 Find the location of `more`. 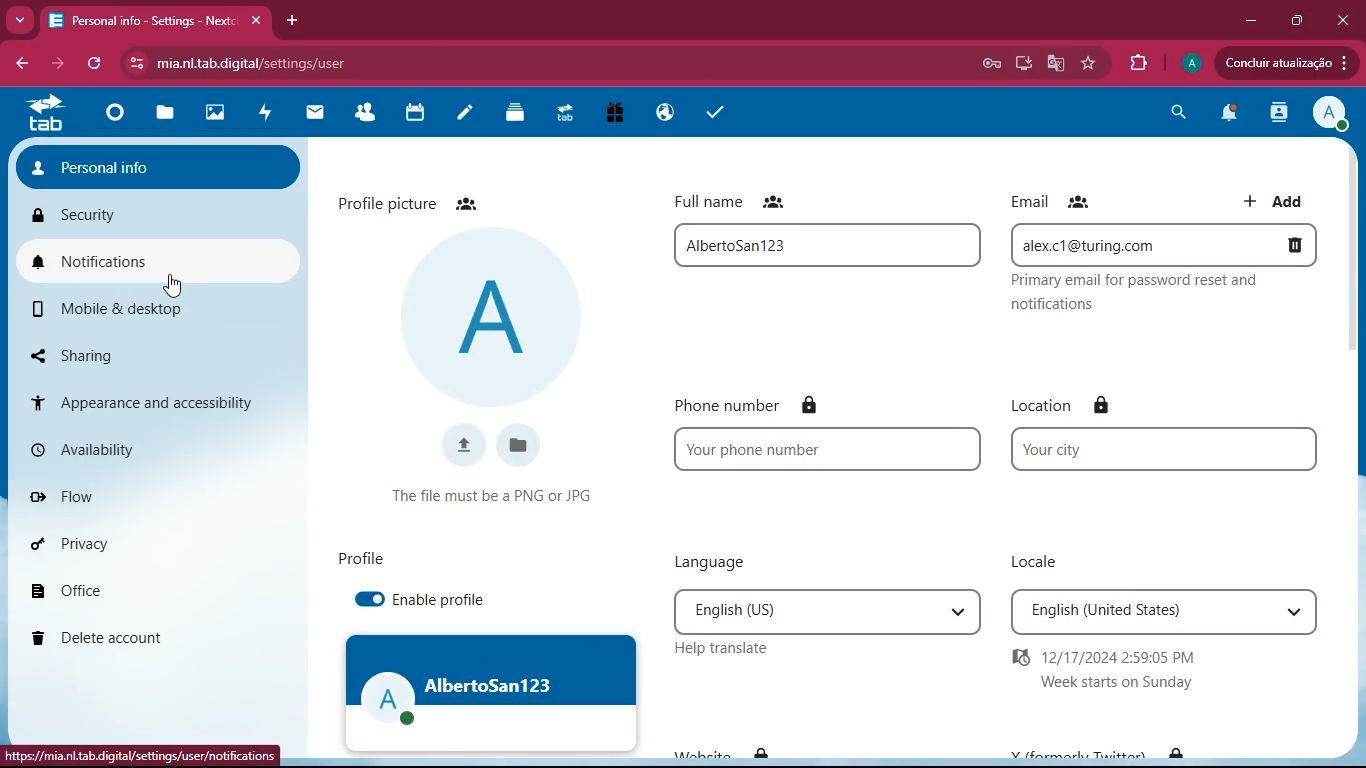

more is located at coordinates (22, 20).